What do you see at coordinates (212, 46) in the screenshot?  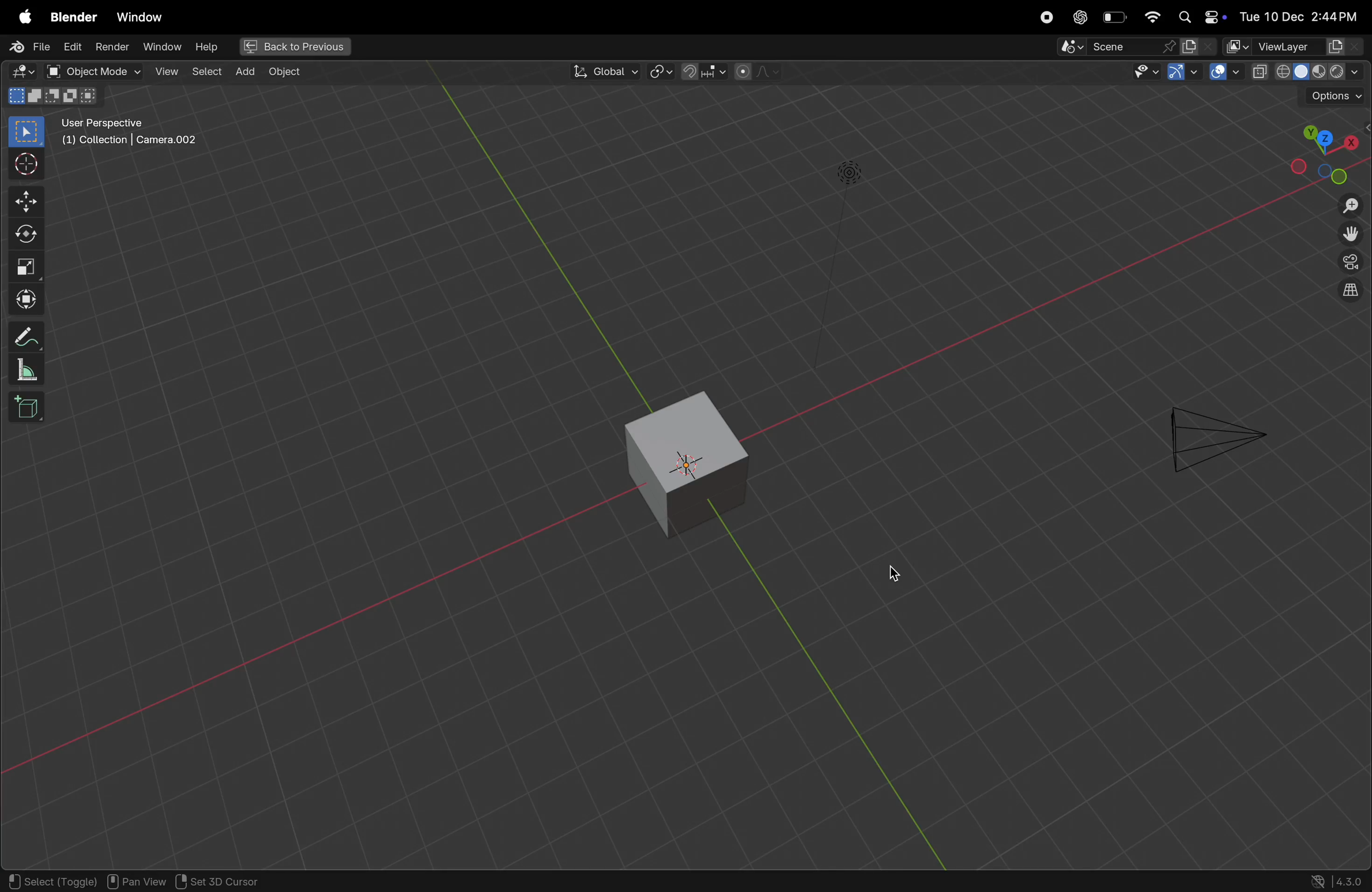 I see `help` at bounding box center [212, 46].